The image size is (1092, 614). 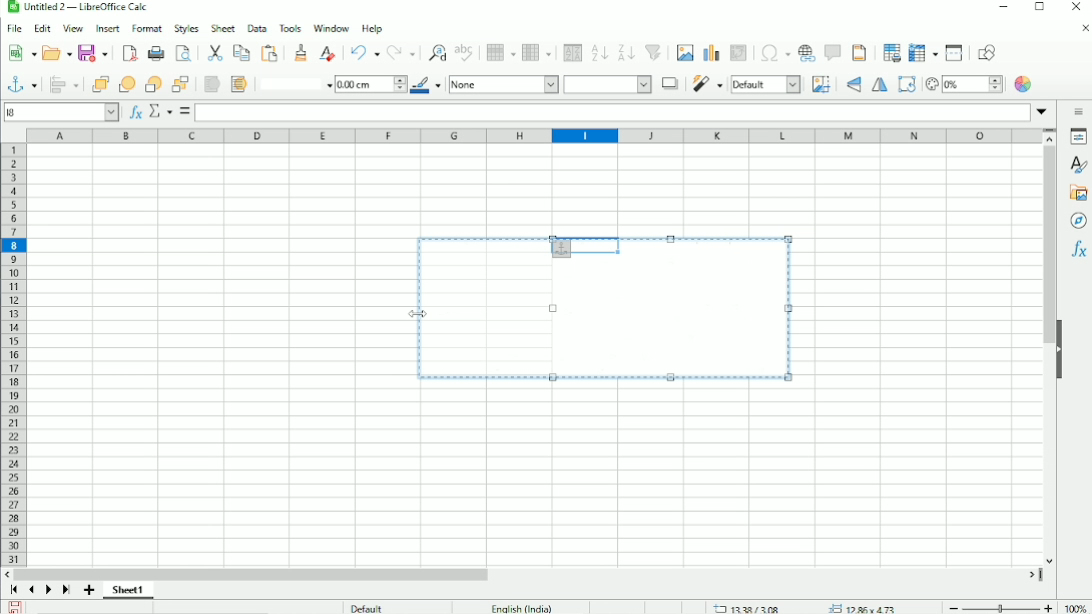 I want to click on Paste, so click(x=215, y=52).